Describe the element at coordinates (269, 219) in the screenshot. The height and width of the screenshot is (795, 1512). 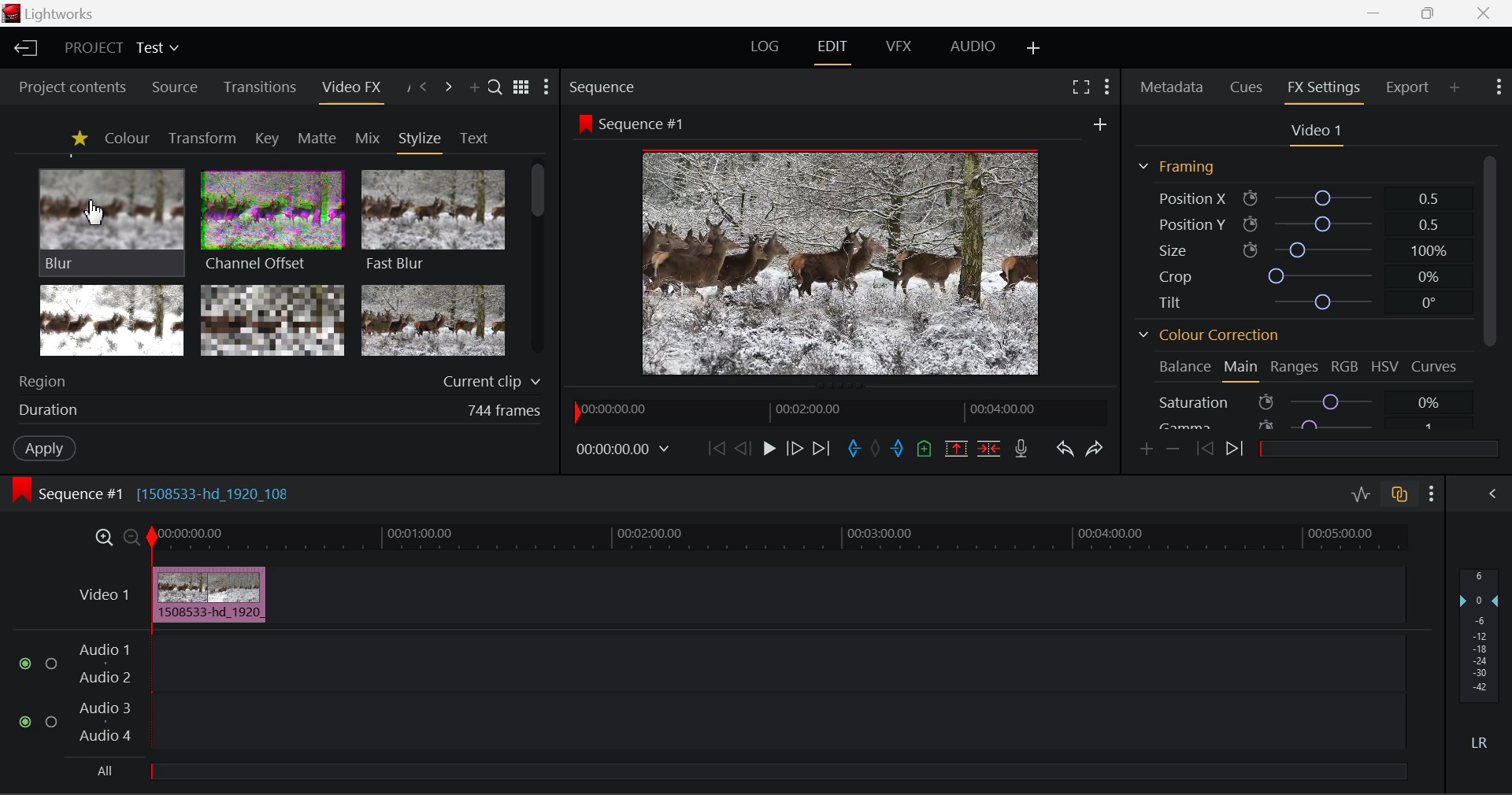
I see `Channel Offset` at that location.